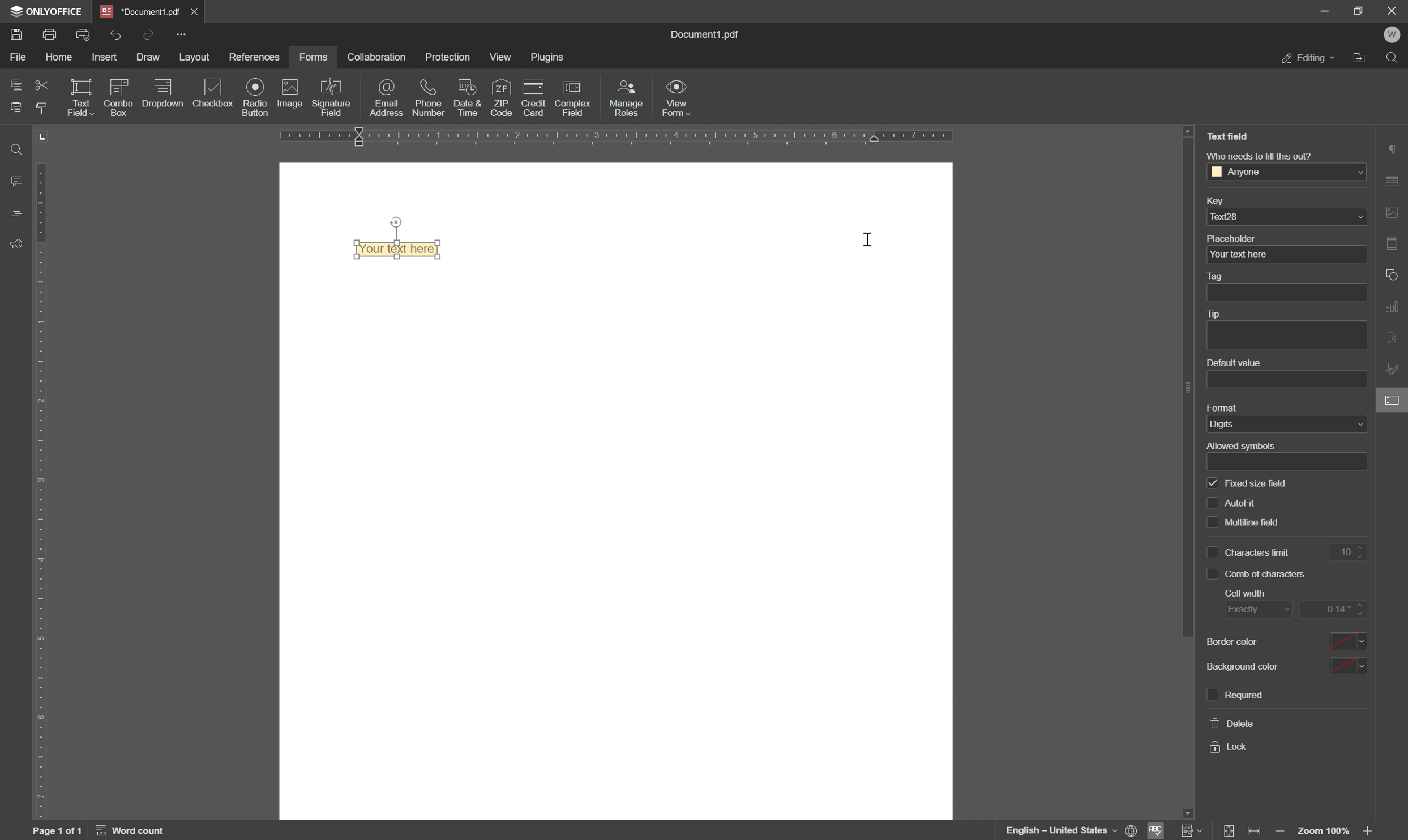 This screenshot has height=840, width=1408. I want to click on copy style, so click(42, 109).